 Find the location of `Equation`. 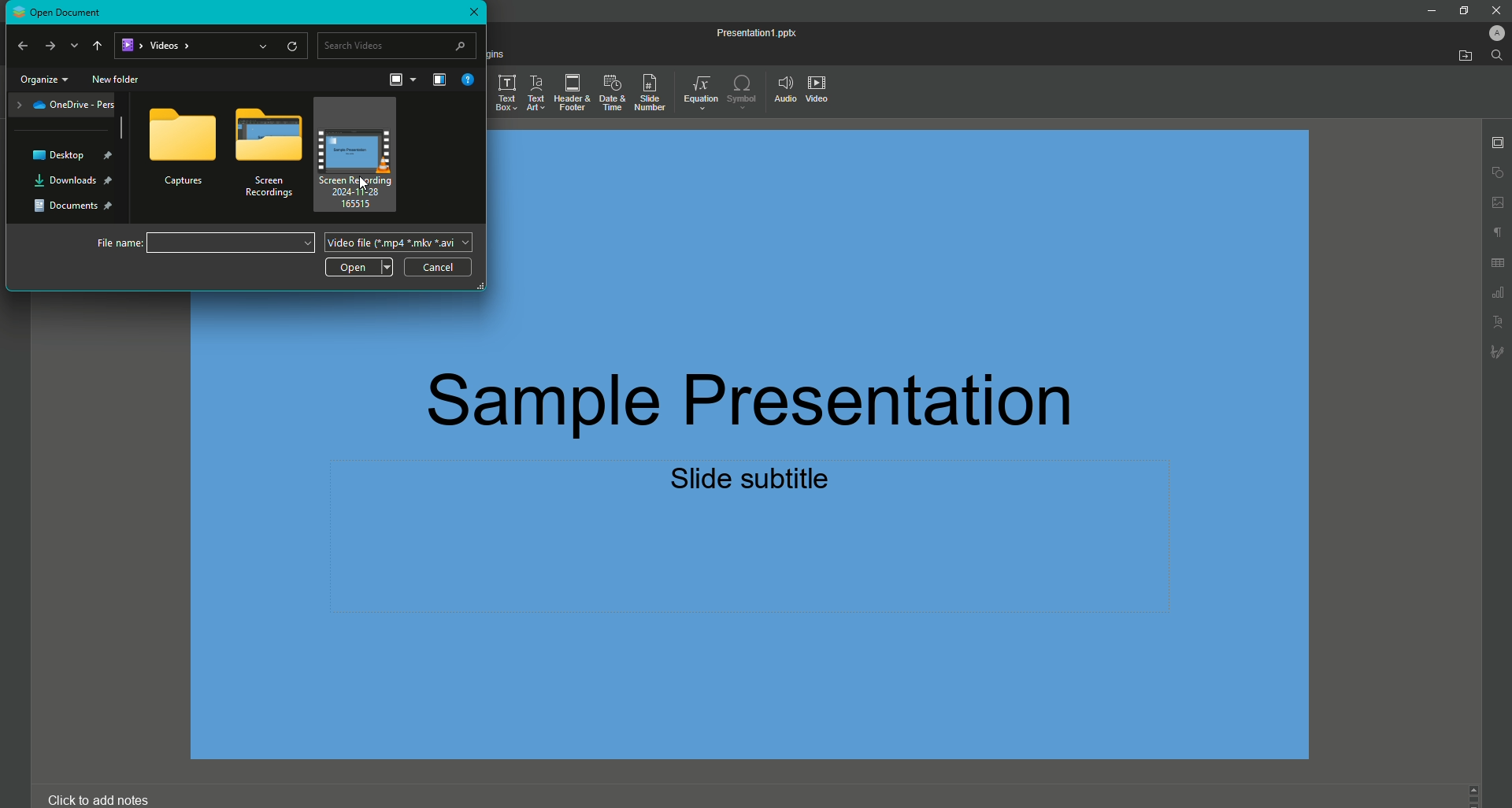

Equation is located at coordinates (696, 89).